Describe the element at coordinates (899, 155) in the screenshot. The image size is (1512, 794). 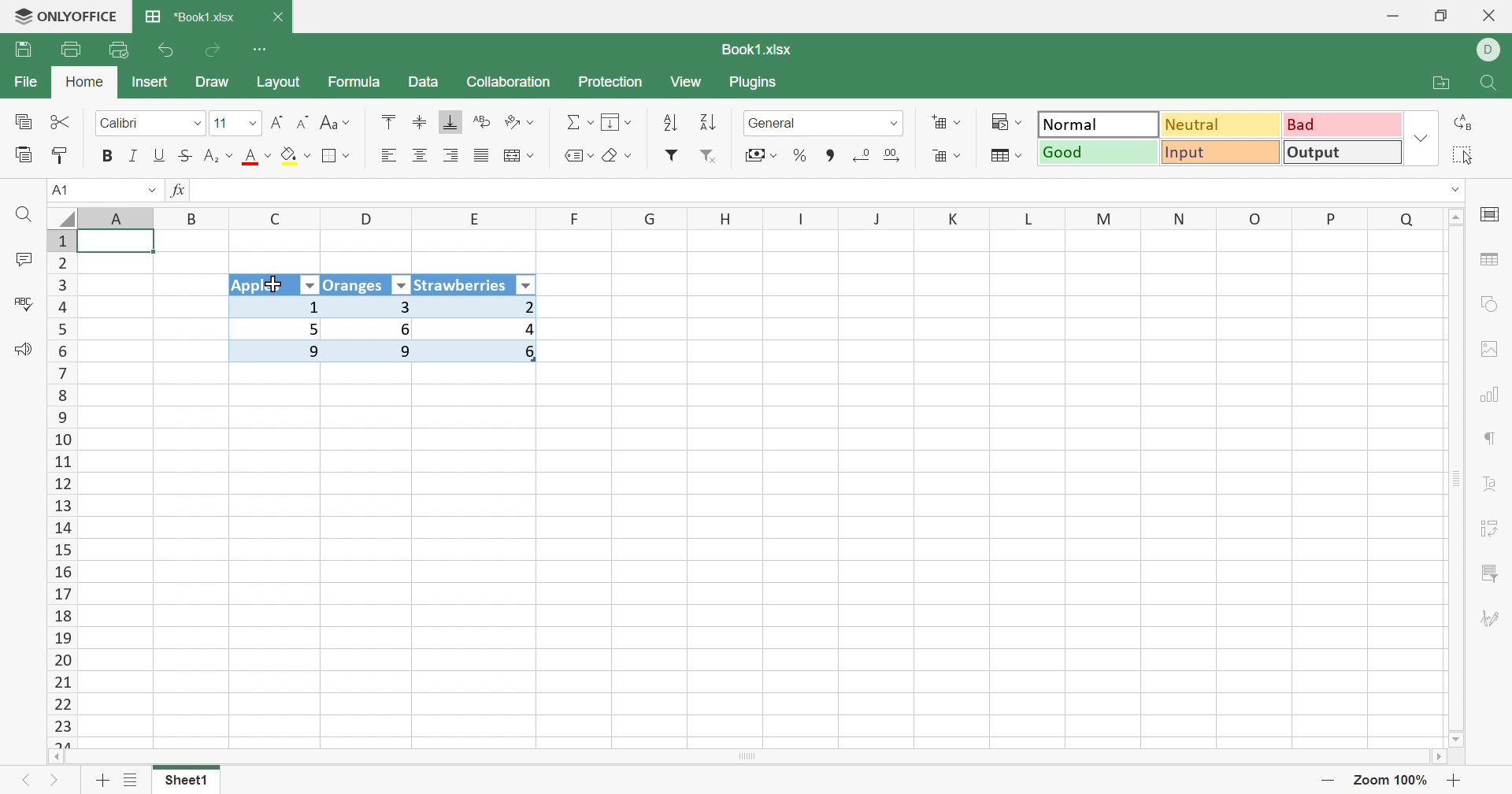
I see `Increase decimals` at that location.